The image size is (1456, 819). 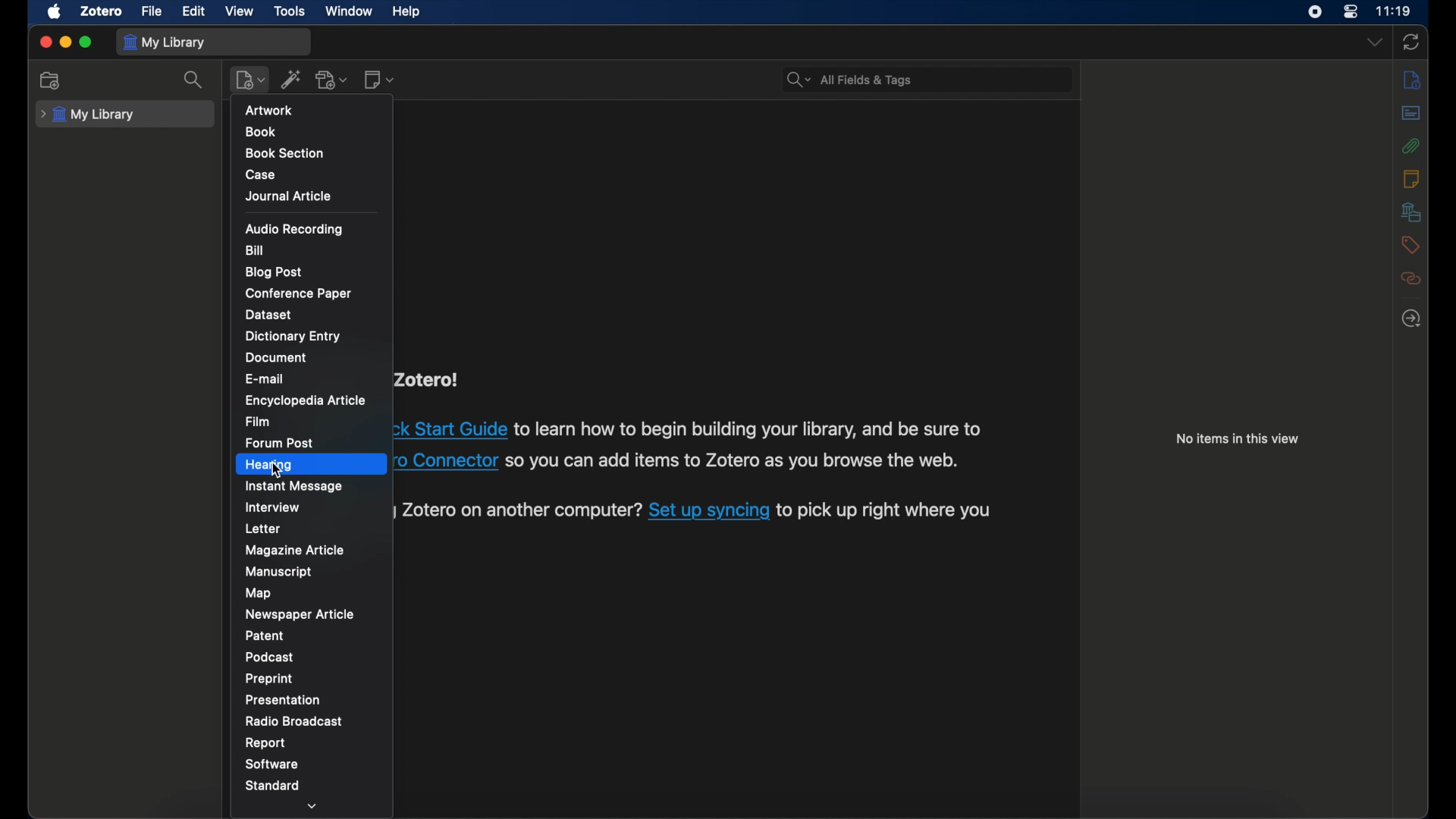 What do you see at coordinates (1375, 42) in the screenshot?
I see `dropdown` at bounding box center [1375, 42].